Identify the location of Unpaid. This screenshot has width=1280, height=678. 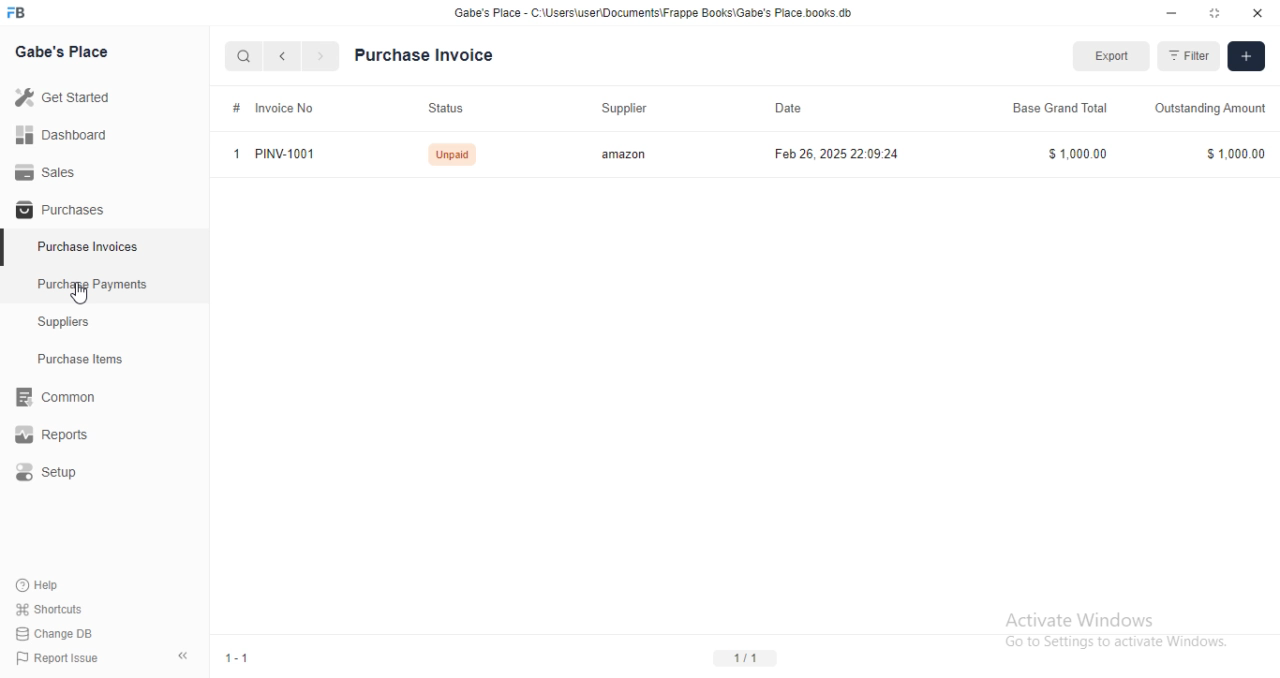
(452, 154).